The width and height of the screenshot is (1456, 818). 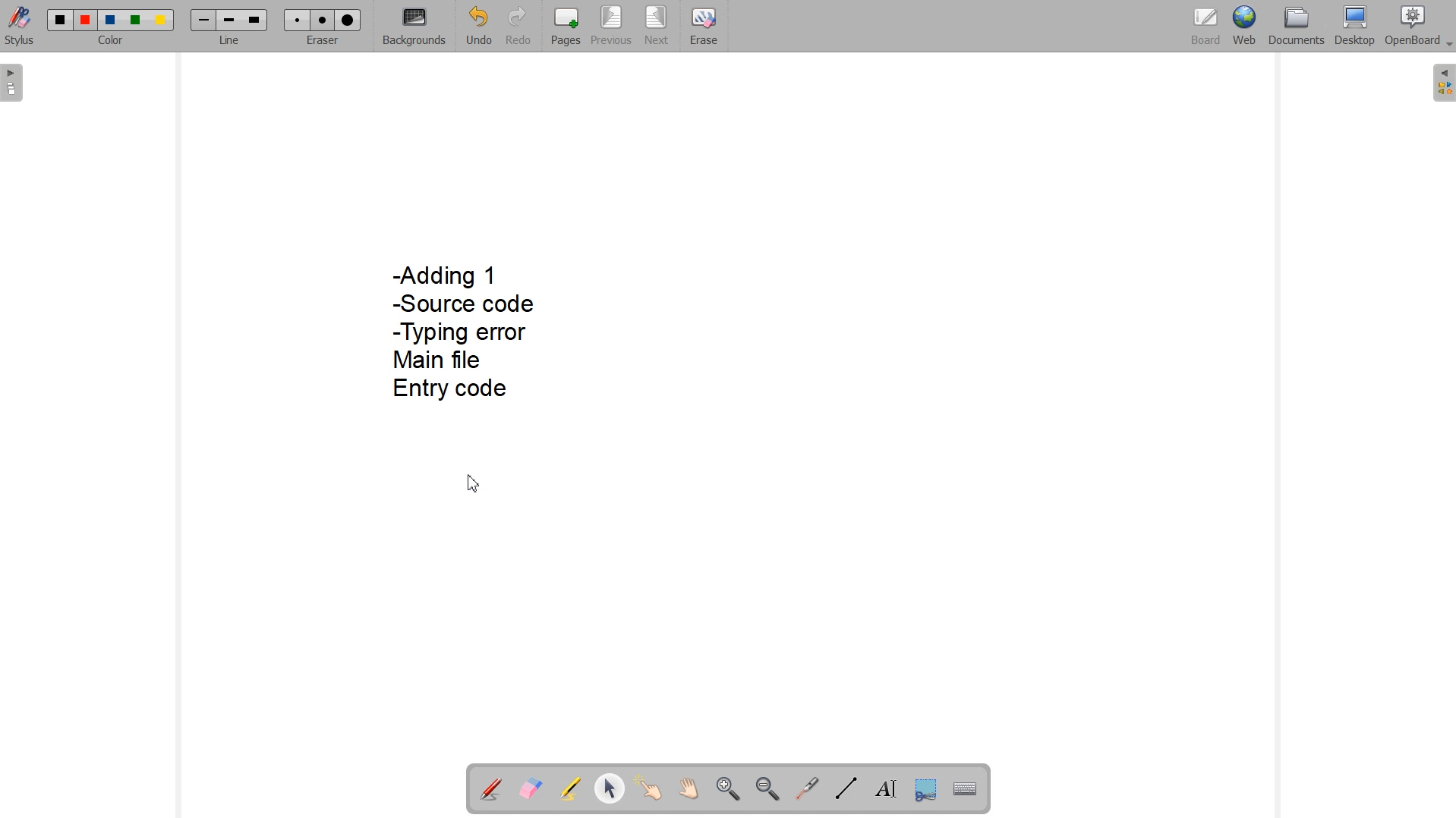 What do you see at coordinates (1206, 27) in the screenshot?
I see `Board` at bounding box center [1206, 27].